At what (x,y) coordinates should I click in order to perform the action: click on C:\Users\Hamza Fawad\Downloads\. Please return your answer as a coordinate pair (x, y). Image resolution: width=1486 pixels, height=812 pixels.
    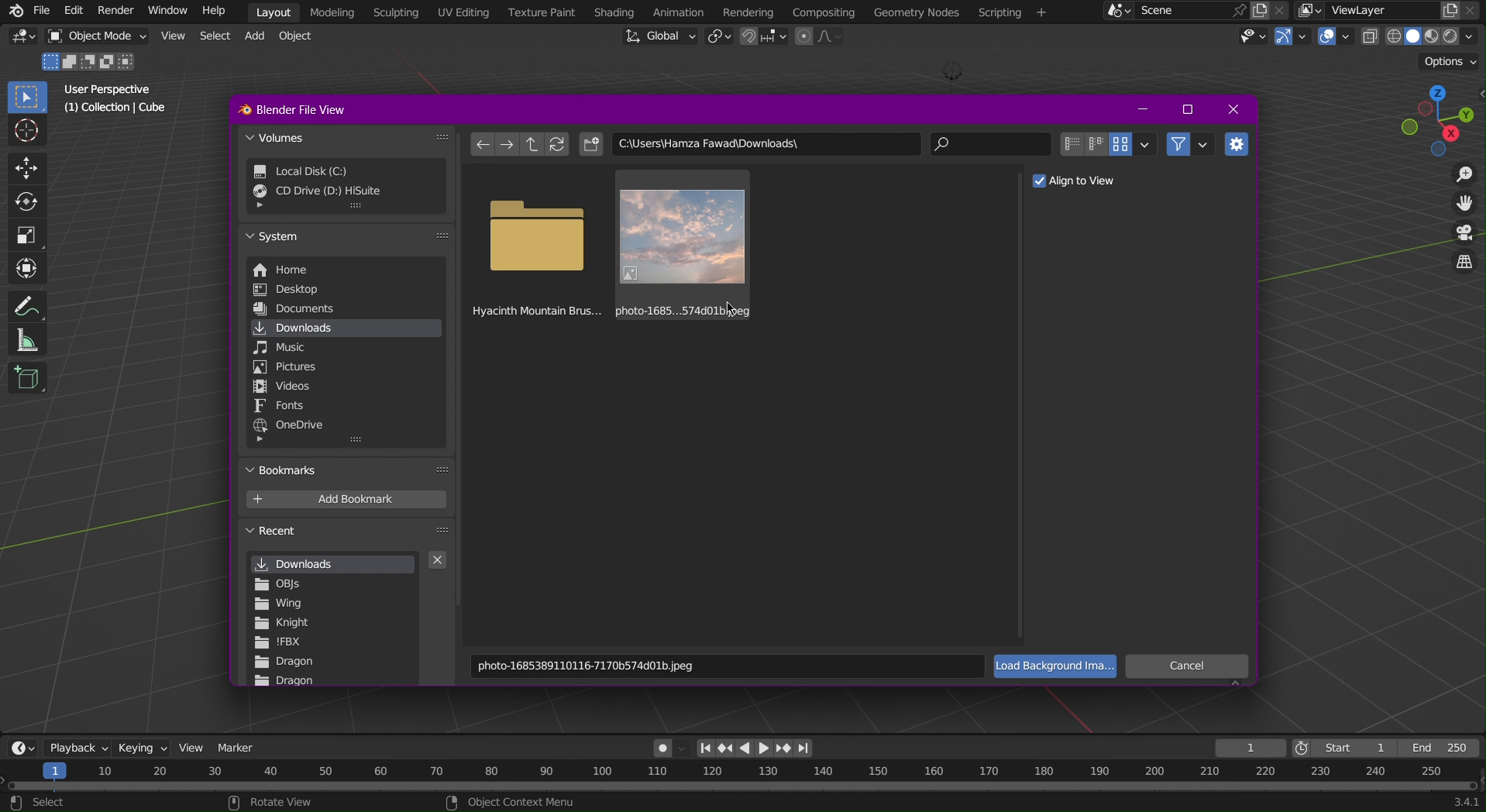
    Looking at the image, I should click on (769, 146).